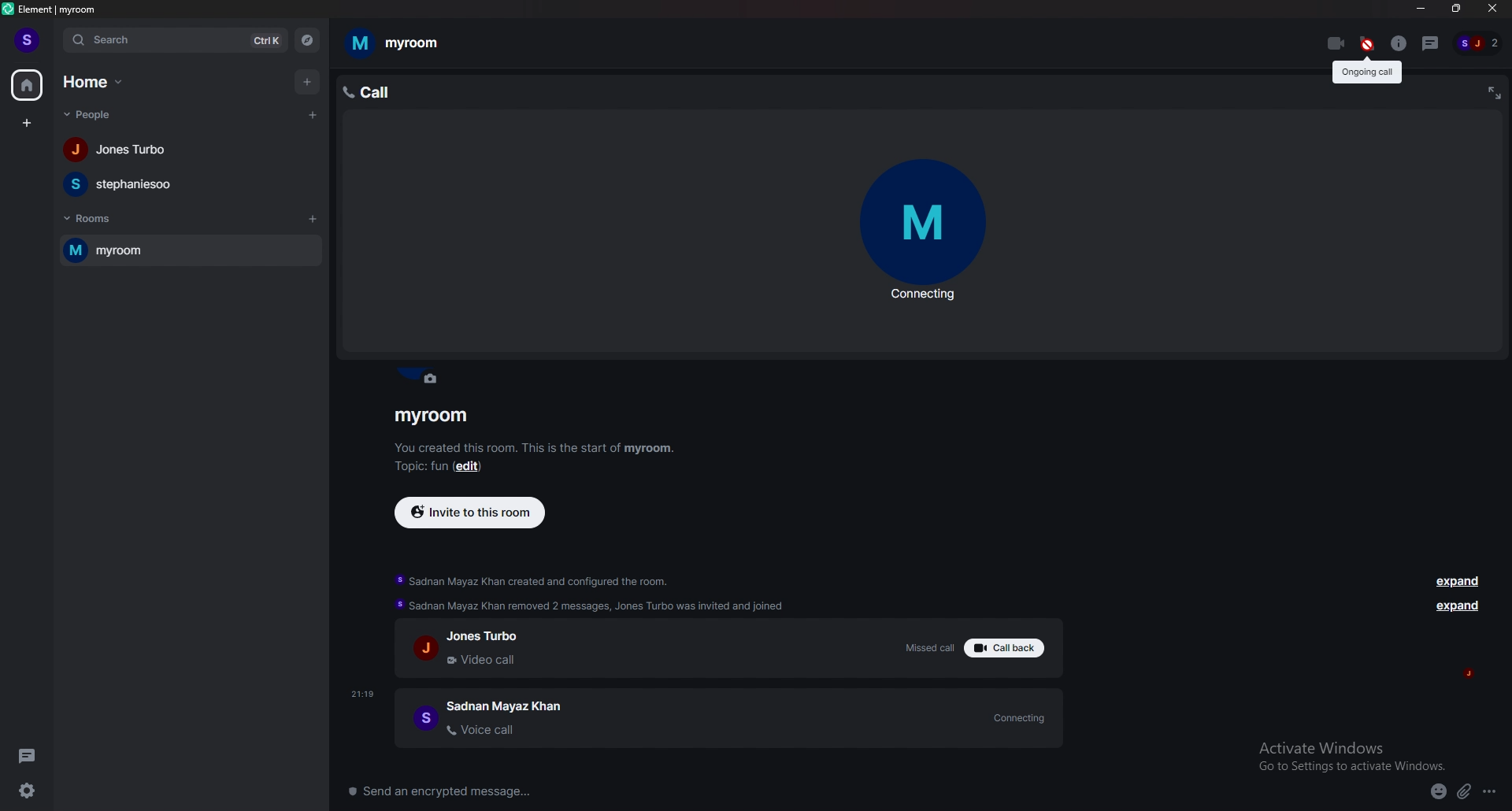 Image resolution: width=1512 pixels, height=811 pixels. Describe the element at coordinates (191, 183) in the screenshot. I see `stephaniesoo` at that location.